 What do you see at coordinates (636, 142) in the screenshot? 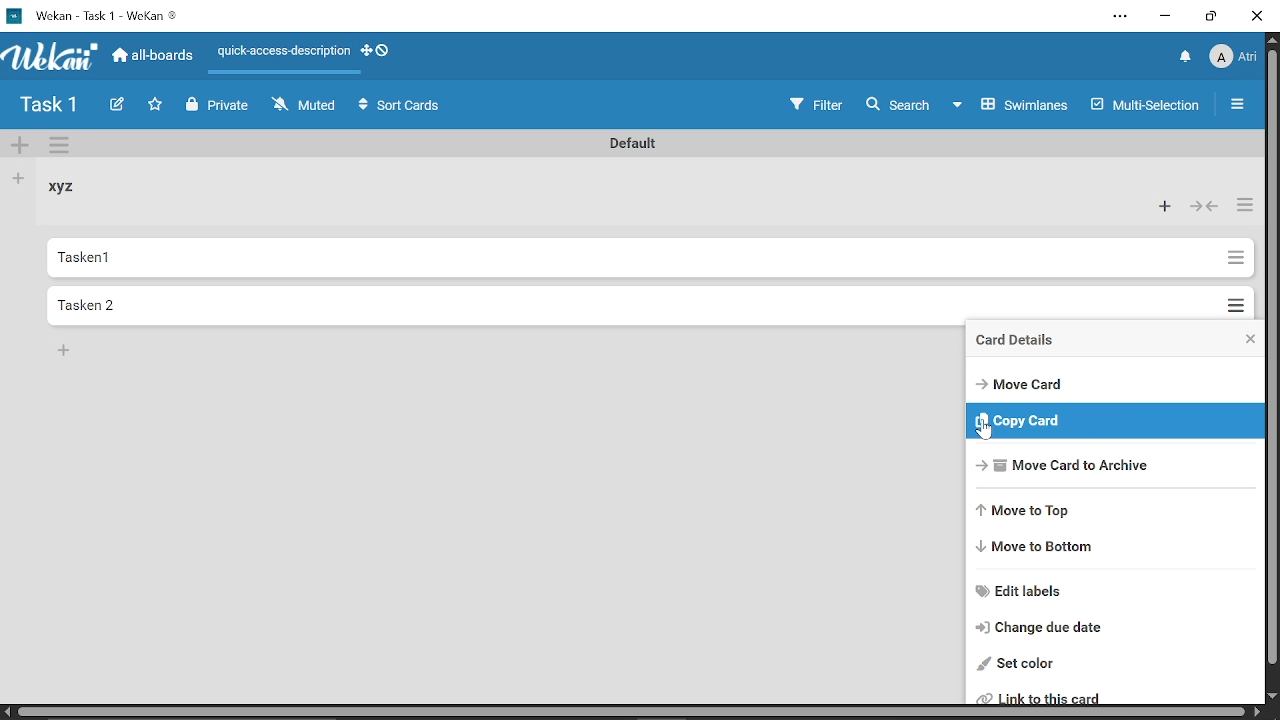
I see `Rename` at bounding box center [636, 142].